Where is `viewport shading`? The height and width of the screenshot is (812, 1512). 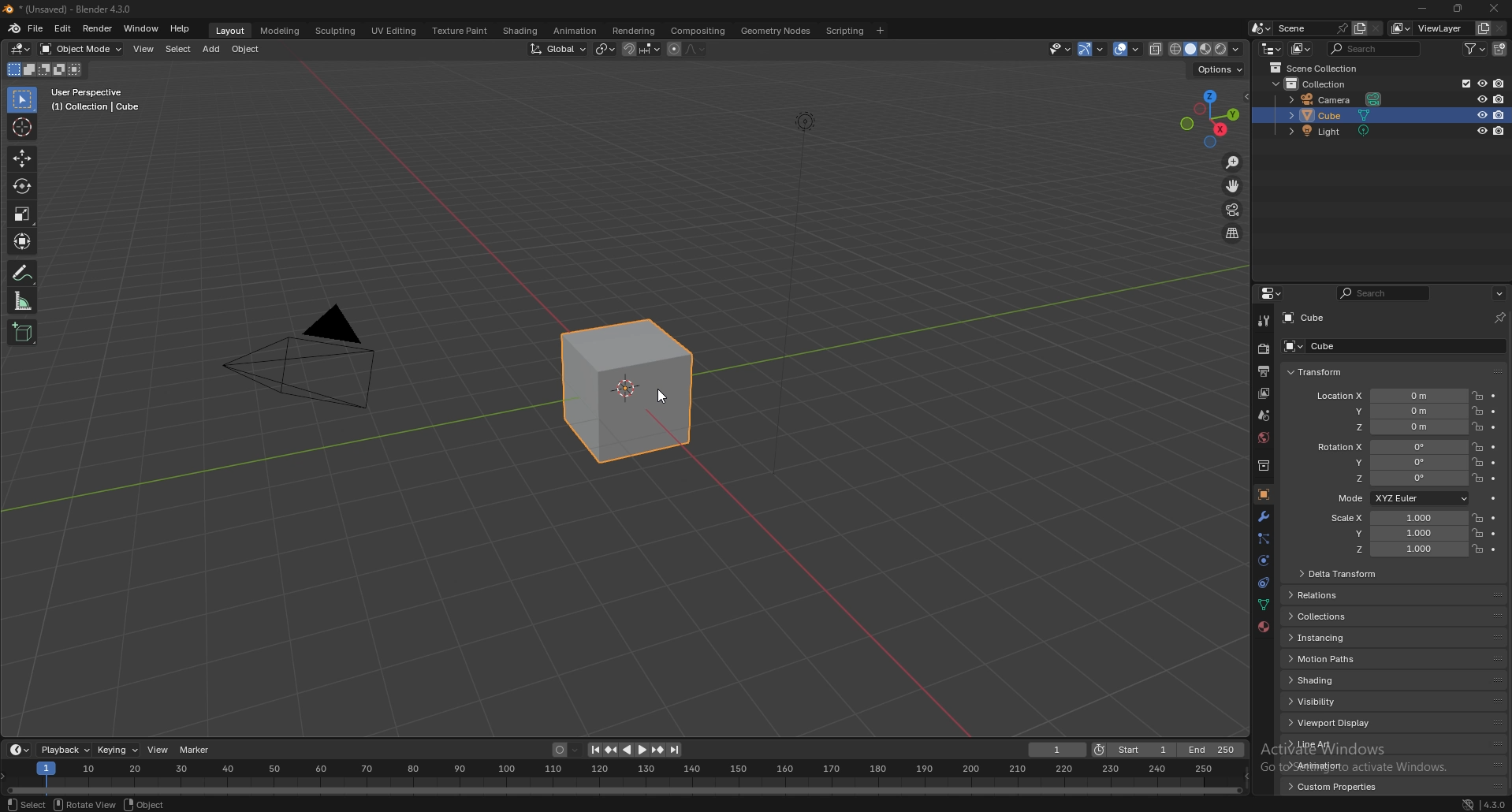 viewport shading is located at coordinates (1190, 49).